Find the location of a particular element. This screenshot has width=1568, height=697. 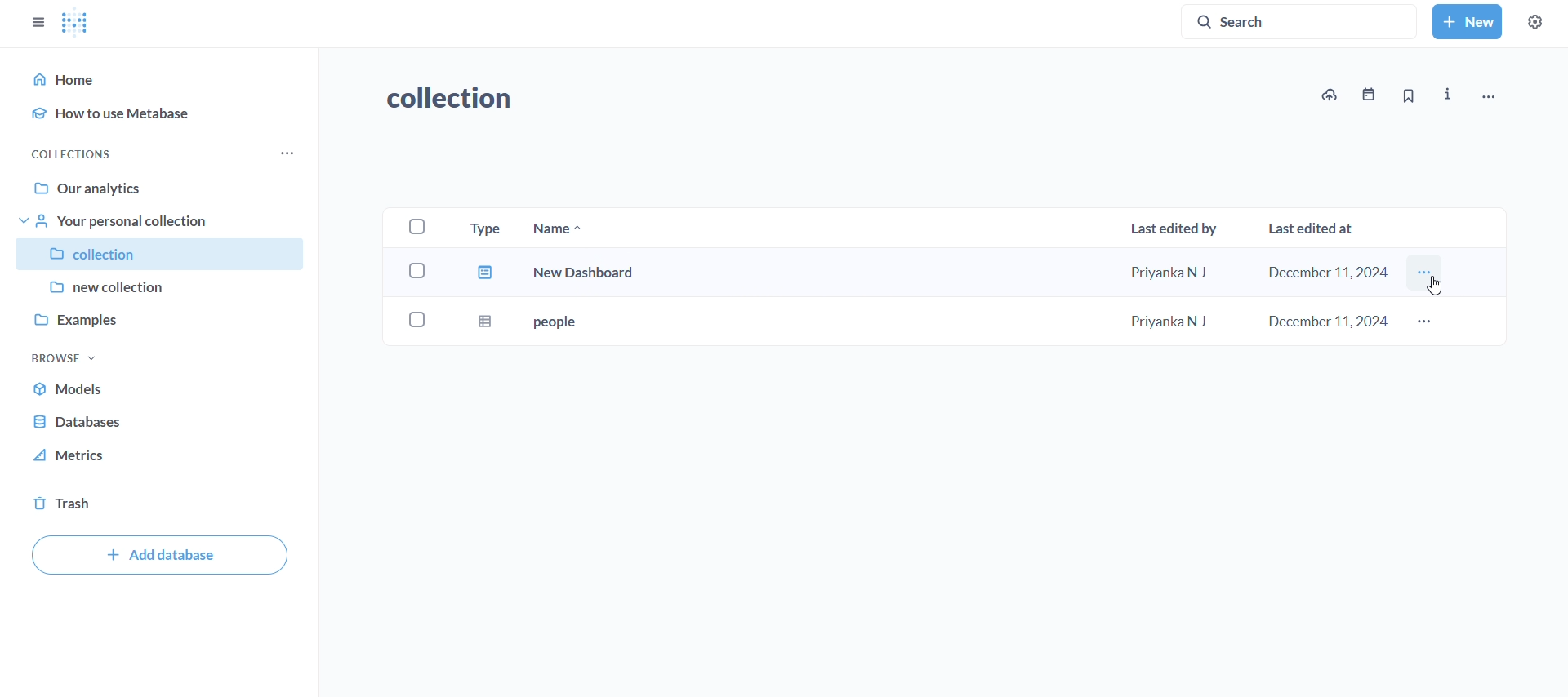

metrics is located at coordinates (74, 456).